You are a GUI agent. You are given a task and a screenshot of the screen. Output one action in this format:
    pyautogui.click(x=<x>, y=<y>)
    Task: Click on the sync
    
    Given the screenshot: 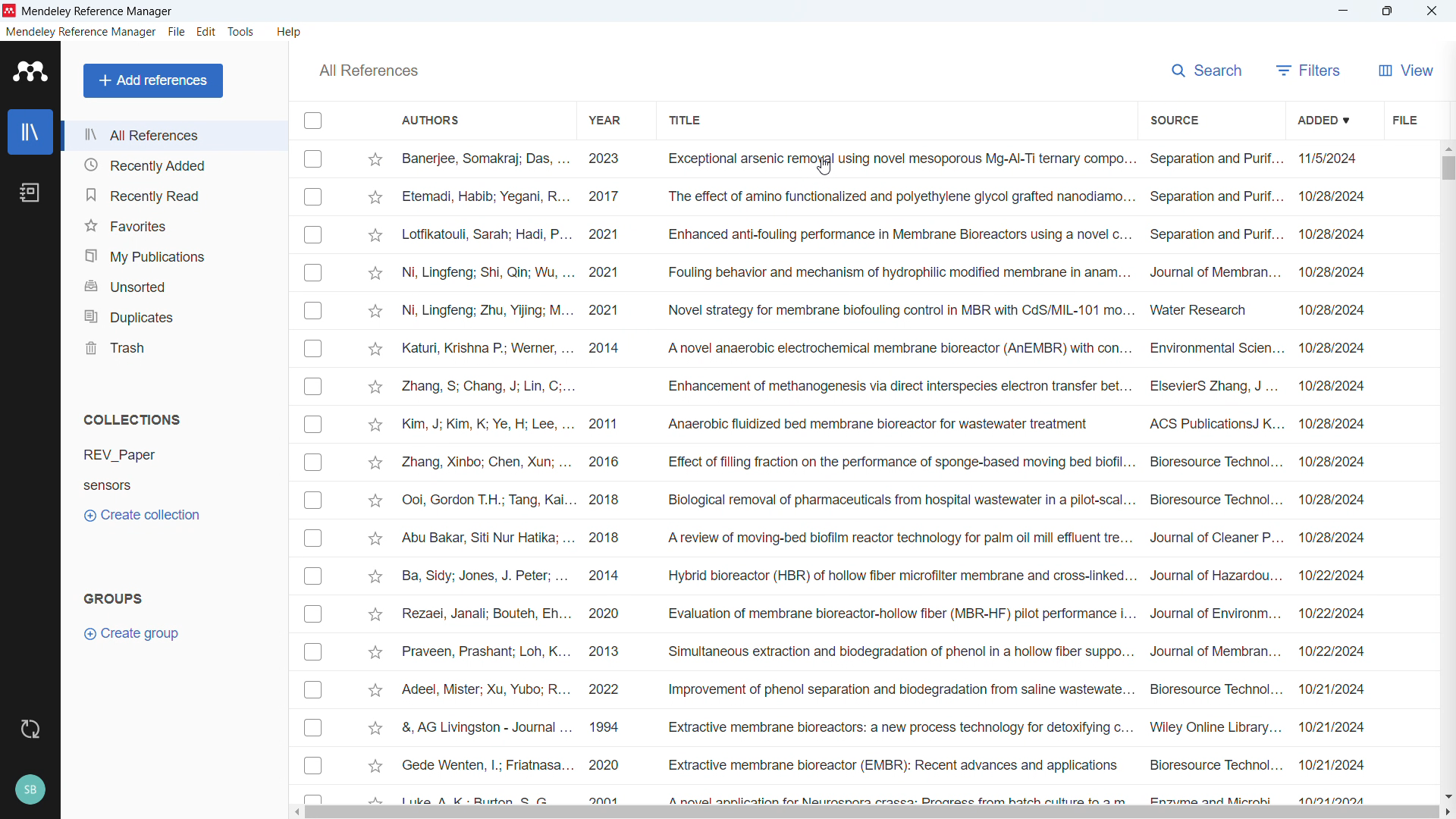 What is the action you would take?
    pyautogui.click(x=30, y=730)
    